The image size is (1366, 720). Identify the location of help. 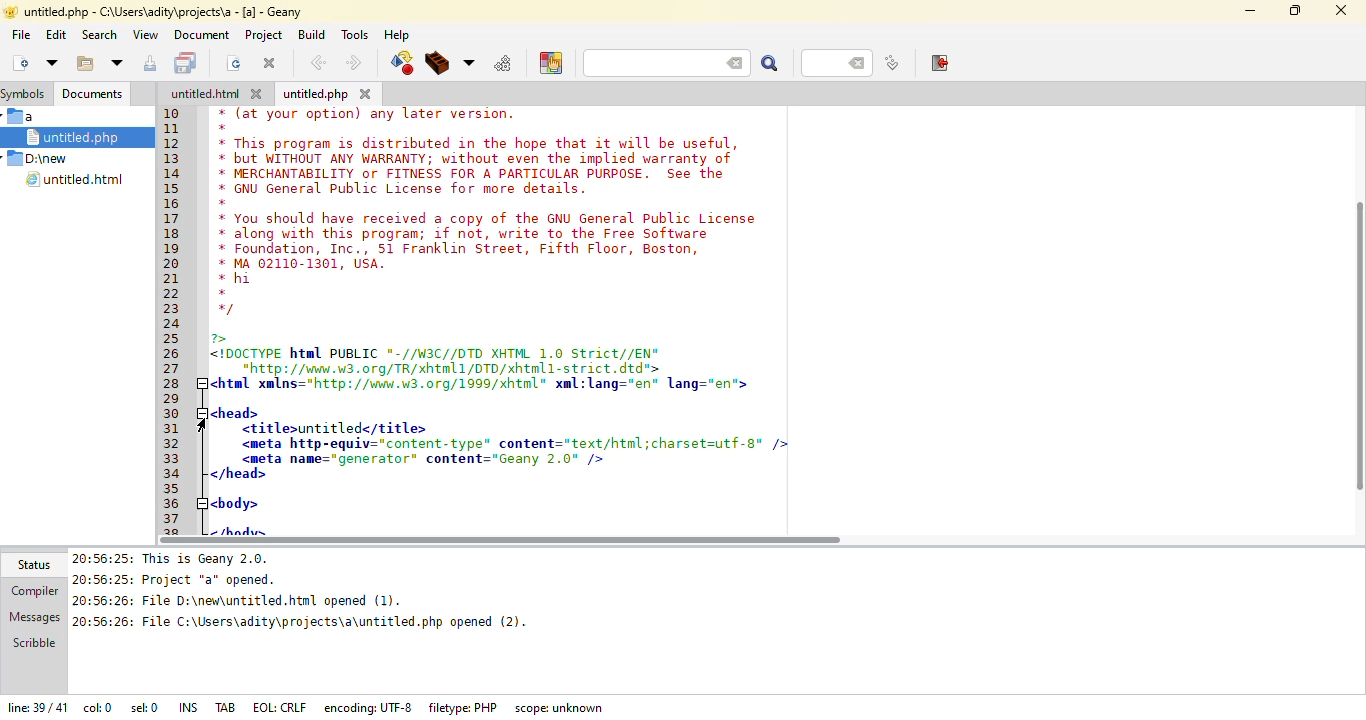
(395, 35).